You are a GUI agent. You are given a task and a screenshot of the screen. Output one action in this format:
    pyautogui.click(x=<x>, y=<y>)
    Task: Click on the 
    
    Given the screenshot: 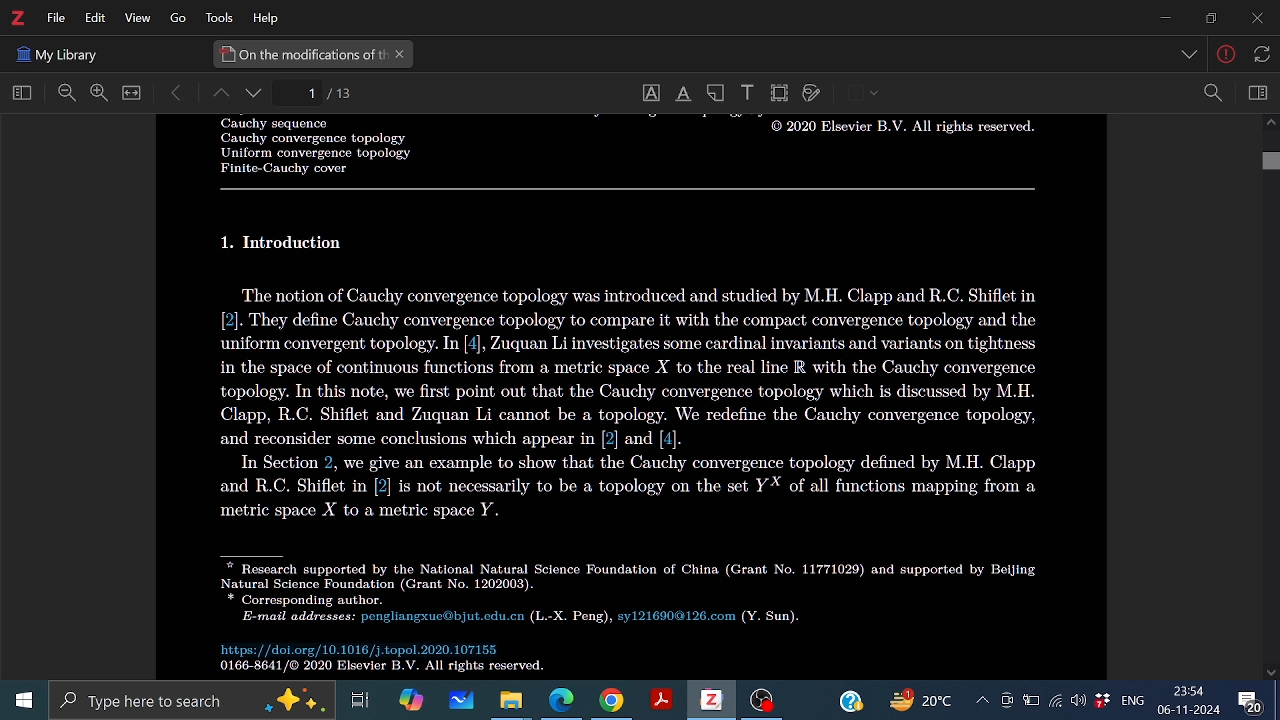 What is the action you would take?
    pyautogui.click(x=305, y=146)
    